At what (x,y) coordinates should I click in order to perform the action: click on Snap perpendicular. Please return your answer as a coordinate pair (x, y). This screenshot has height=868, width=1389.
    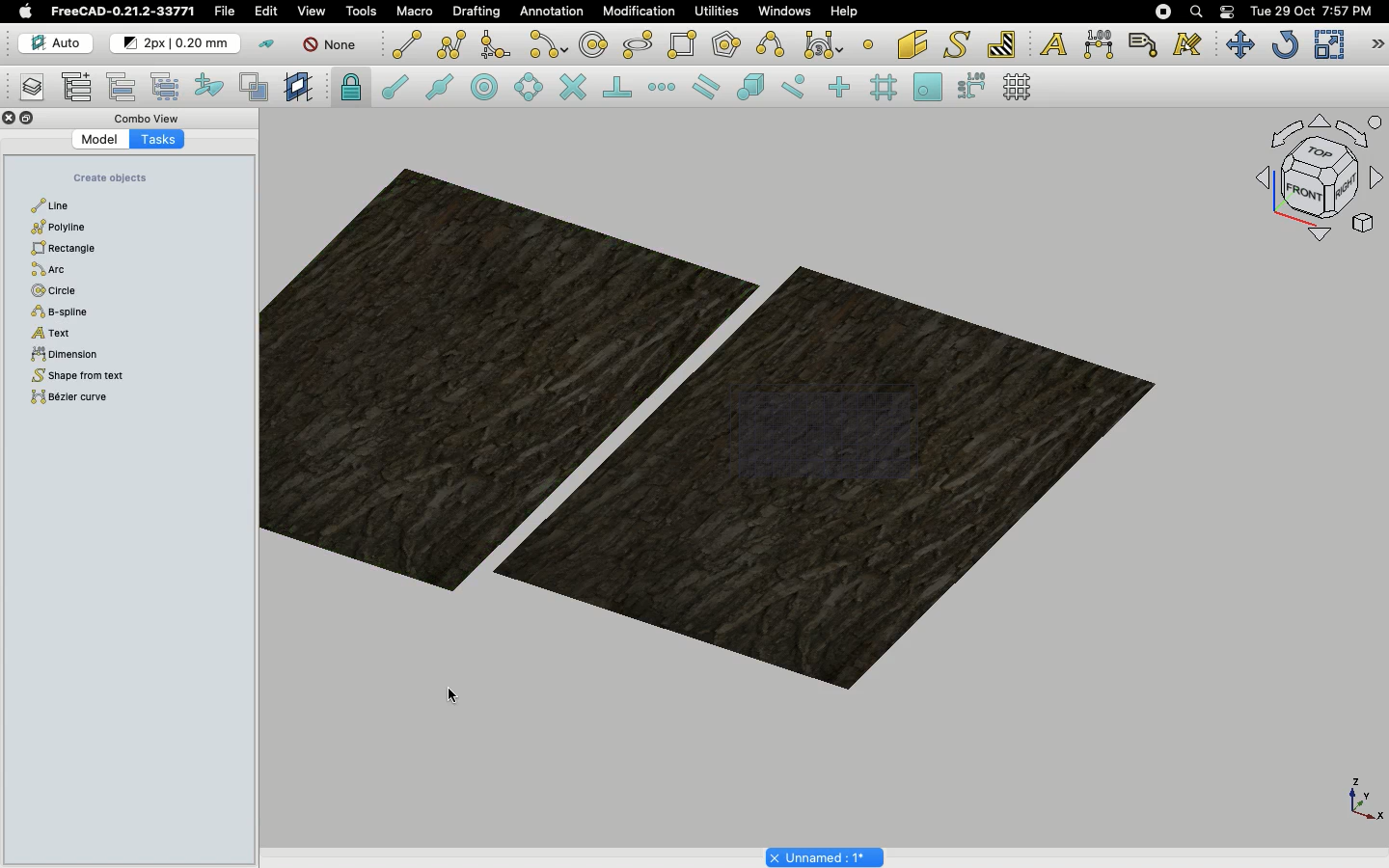
    Looking at the image, I should click on (620, 89).